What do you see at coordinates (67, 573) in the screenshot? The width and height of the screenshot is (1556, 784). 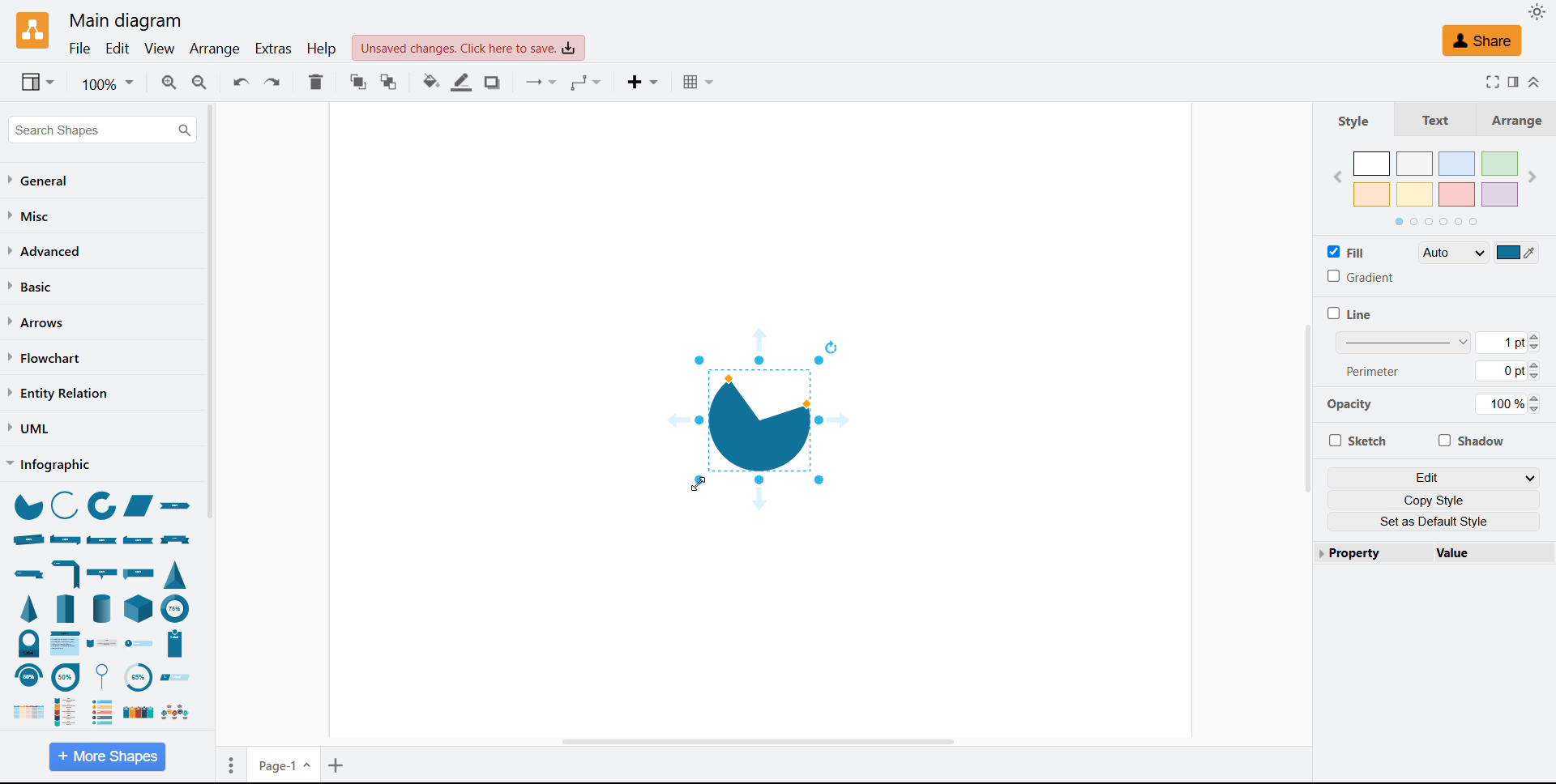 I see `banner half fold` at bounding box center [67, 573].